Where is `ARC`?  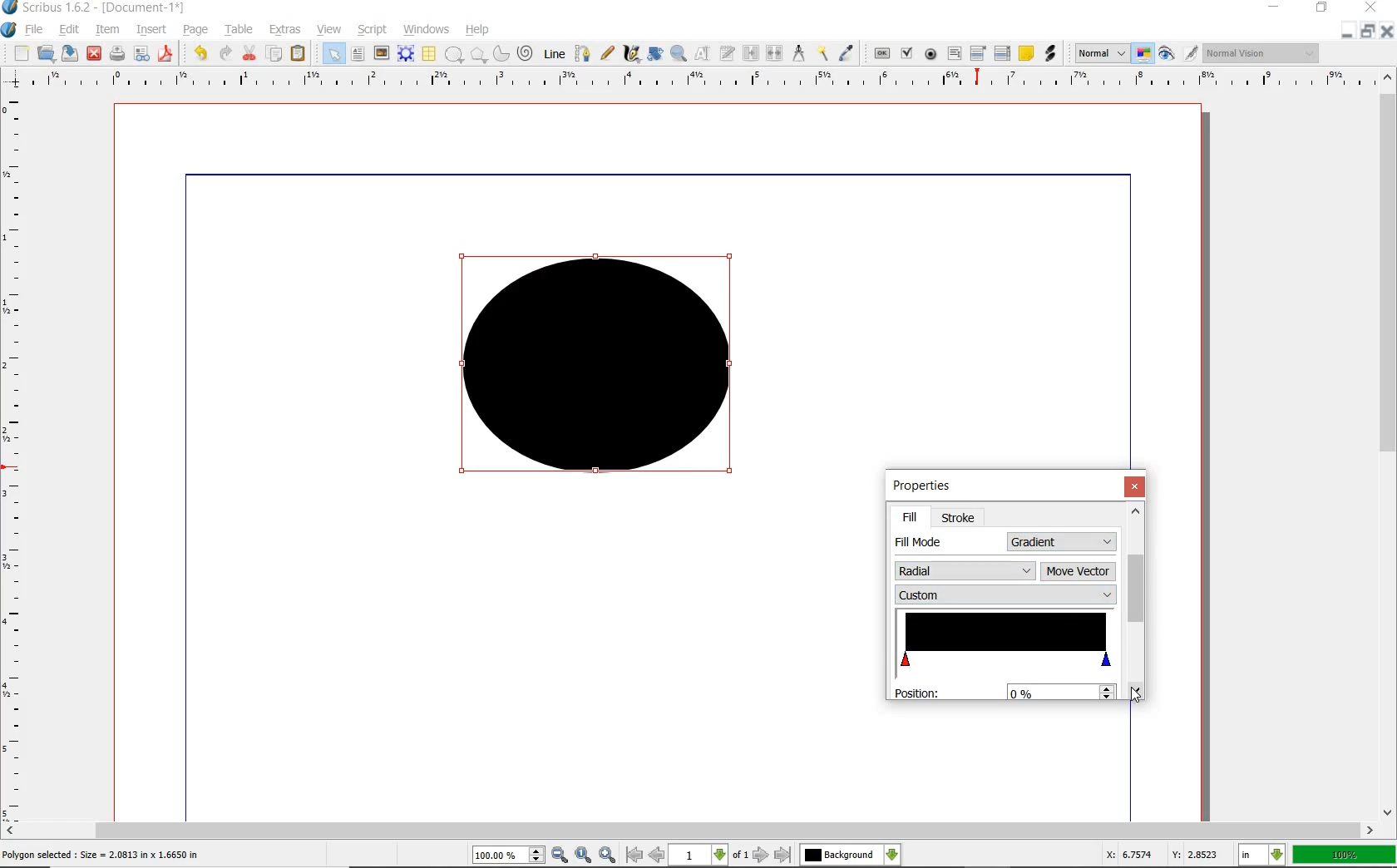 ARC is located at coordinates (500, 55).